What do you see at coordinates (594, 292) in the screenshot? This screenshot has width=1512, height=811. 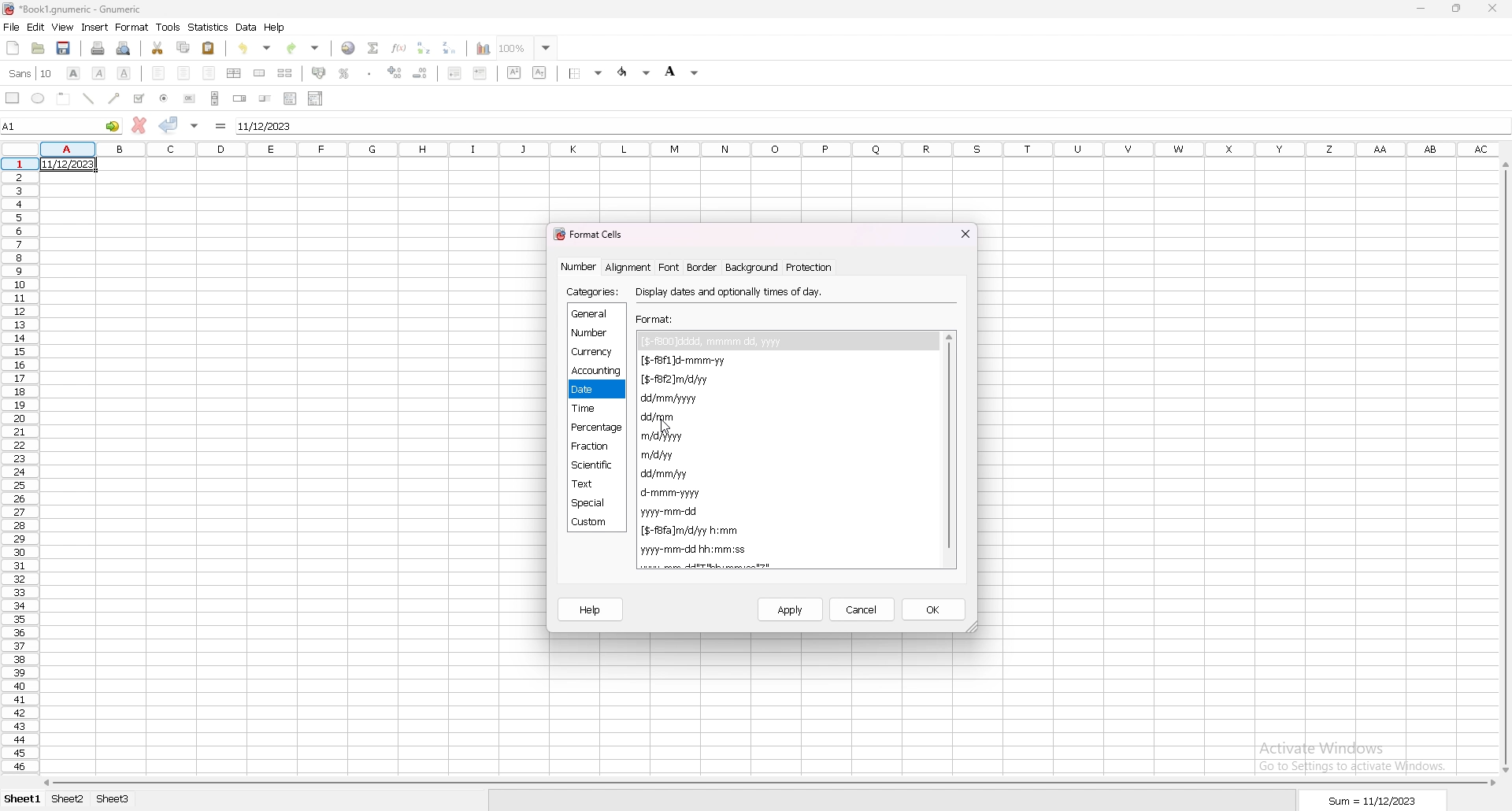 I see `categories` at bounding box center [594, 292].